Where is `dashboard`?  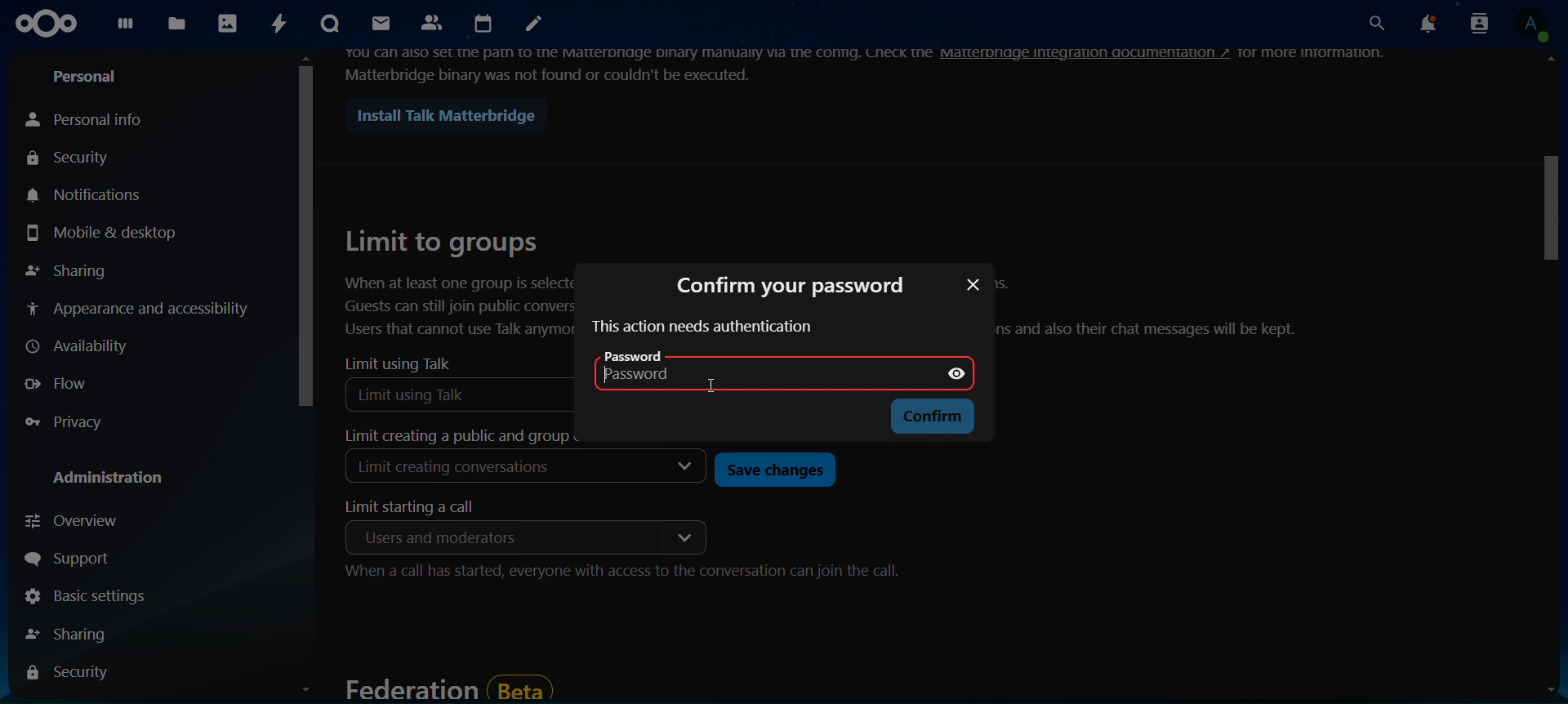 dashboard is located at coordinates (128, 28).